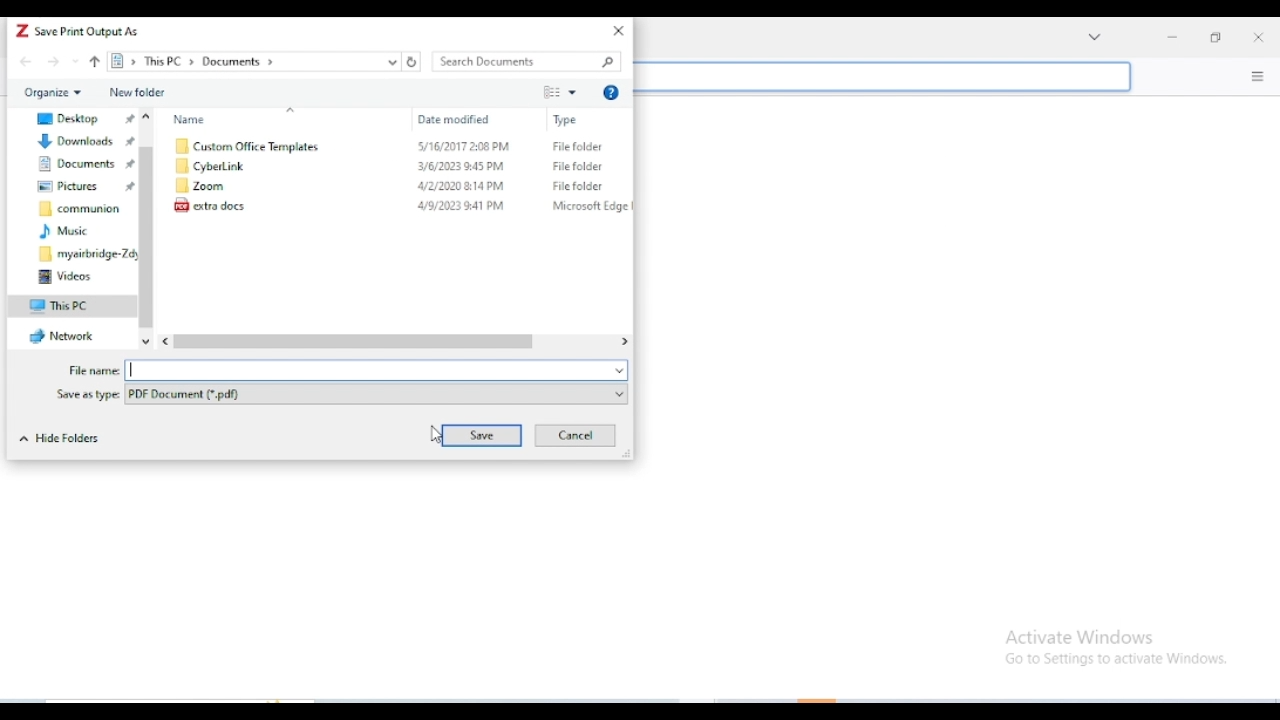 The width and height of the screenshot is (1280, 720). Describe the element at coordinates (481, 435) in the screenshot. I see `save` at that location.